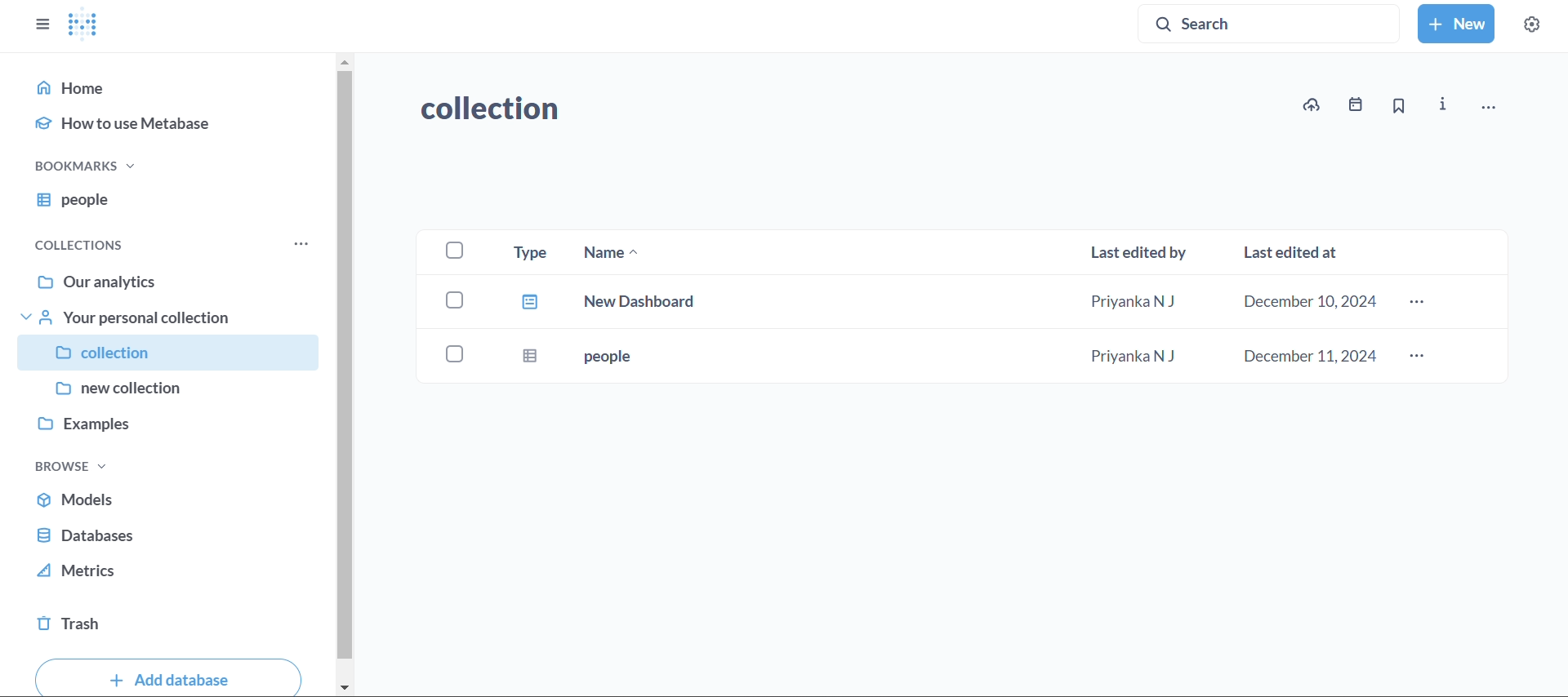  What do you see at coordinates (1138, 300) in the screenshot?
I see `Priyanka N J` at bounding box center [1138, 300].